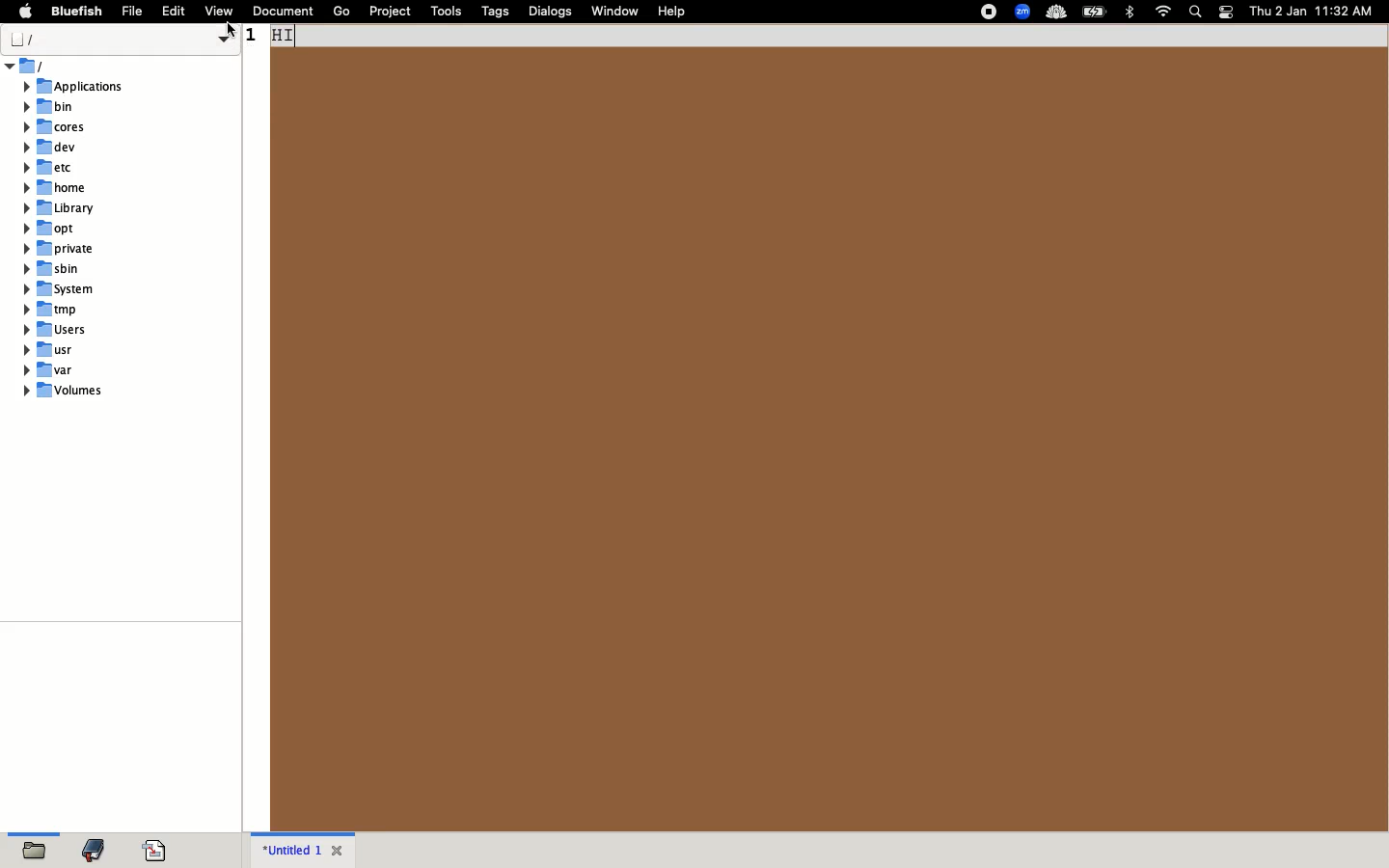  I want to click on edit, so click(177, 12).